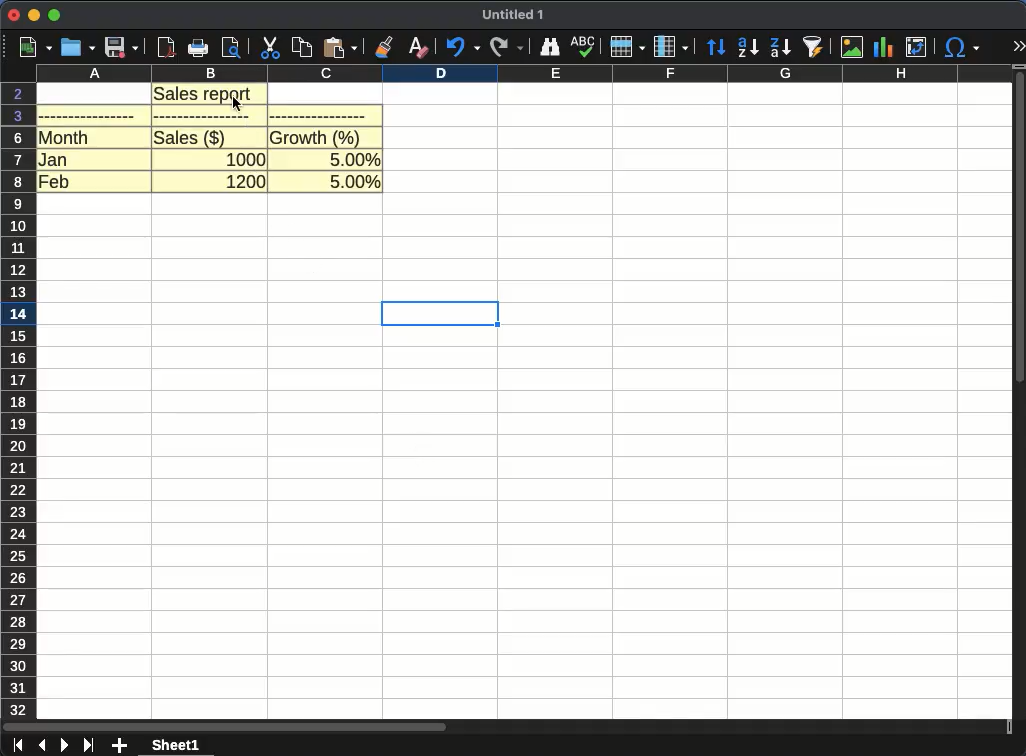 The height and width of the screenshot is (756, 1026). What do you see at coordinates (383, 47) in the screenshot?
I see `clone formatting` at bounding box center [383, 47].